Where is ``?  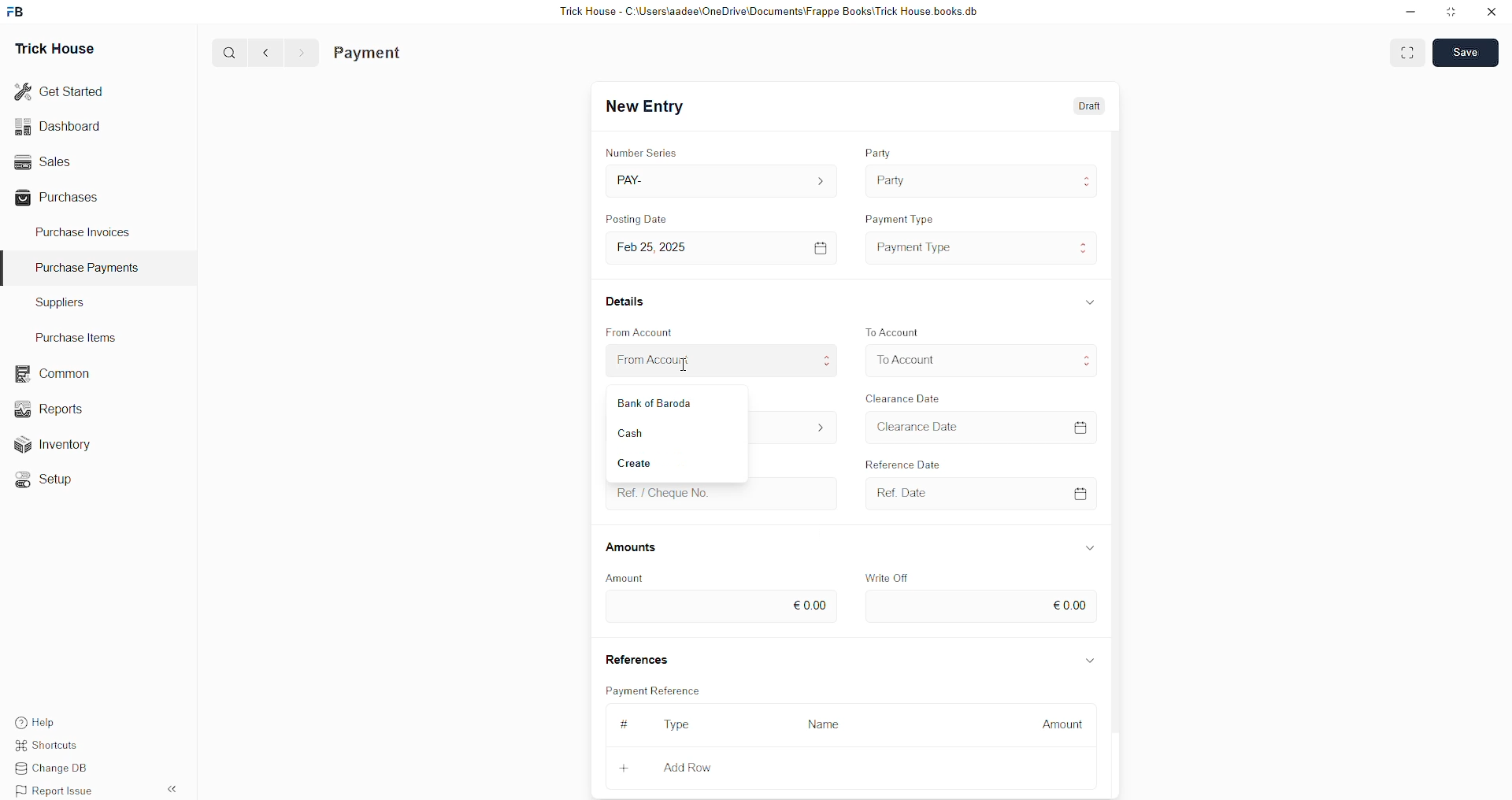  is located at coordinates (1091, 547).